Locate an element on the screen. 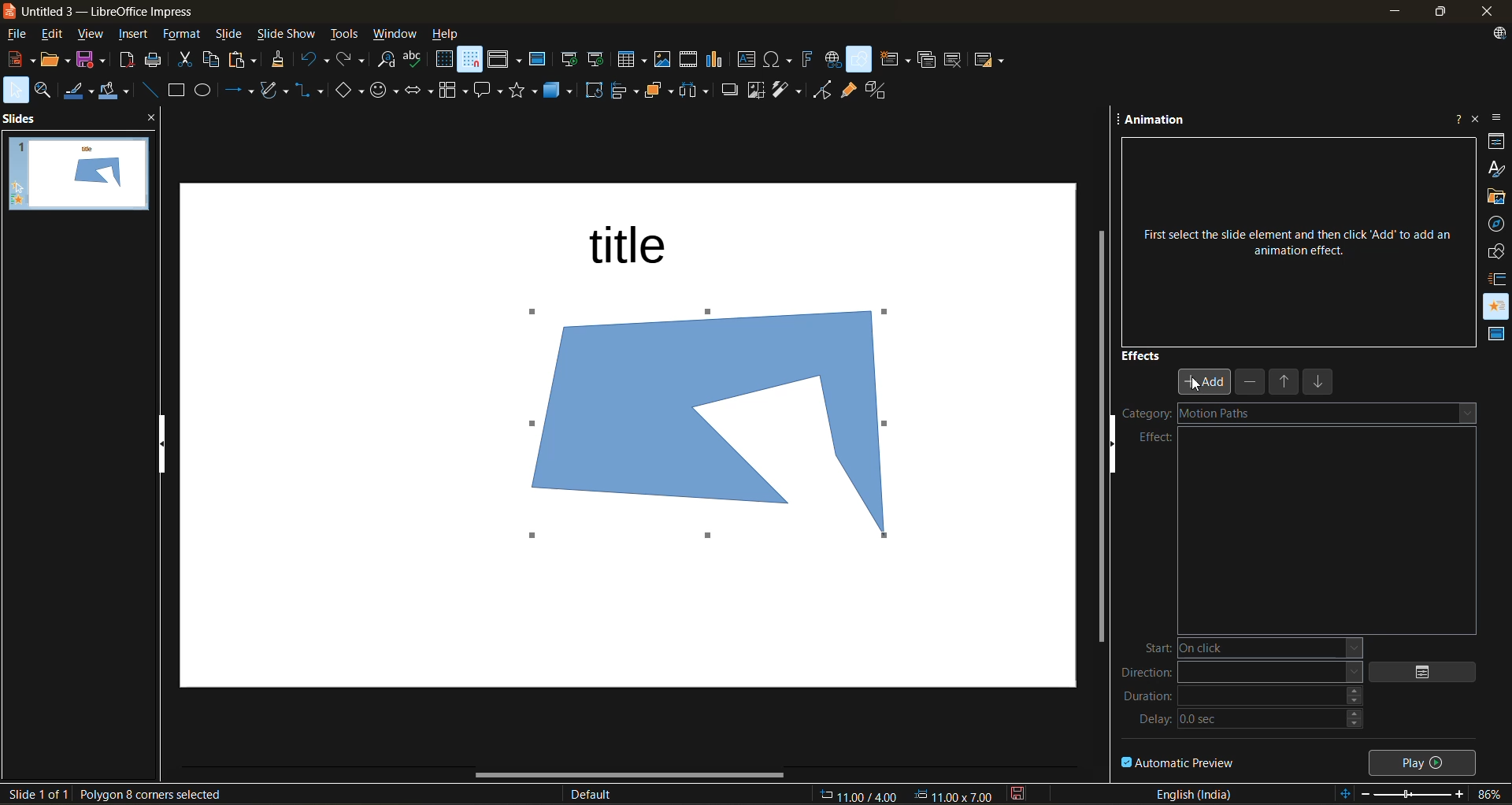  tools is located at coordinates (350, 35).